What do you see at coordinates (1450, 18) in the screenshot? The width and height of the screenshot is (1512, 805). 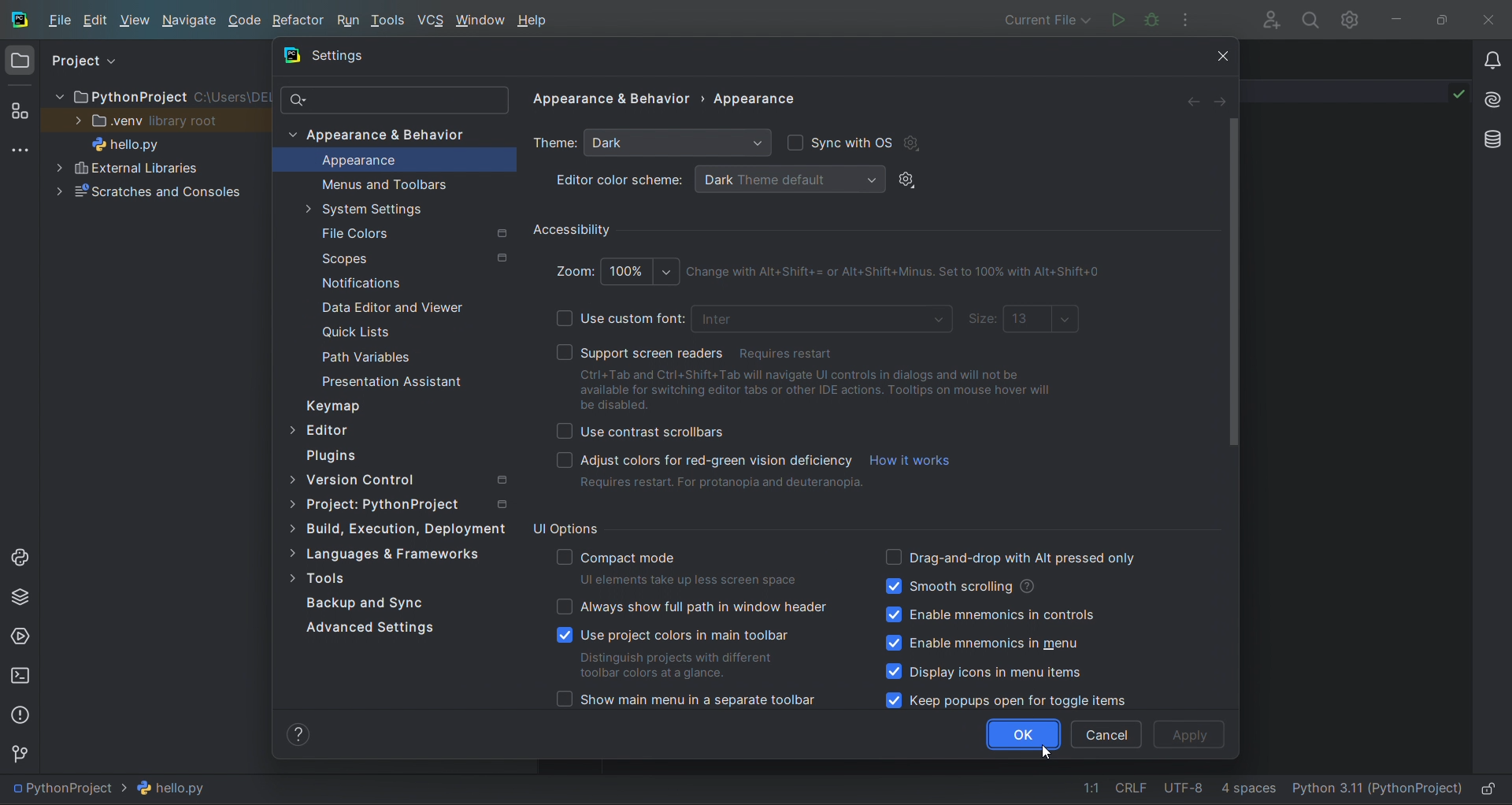 I see `maximize` at bounding box center [1450, 18].